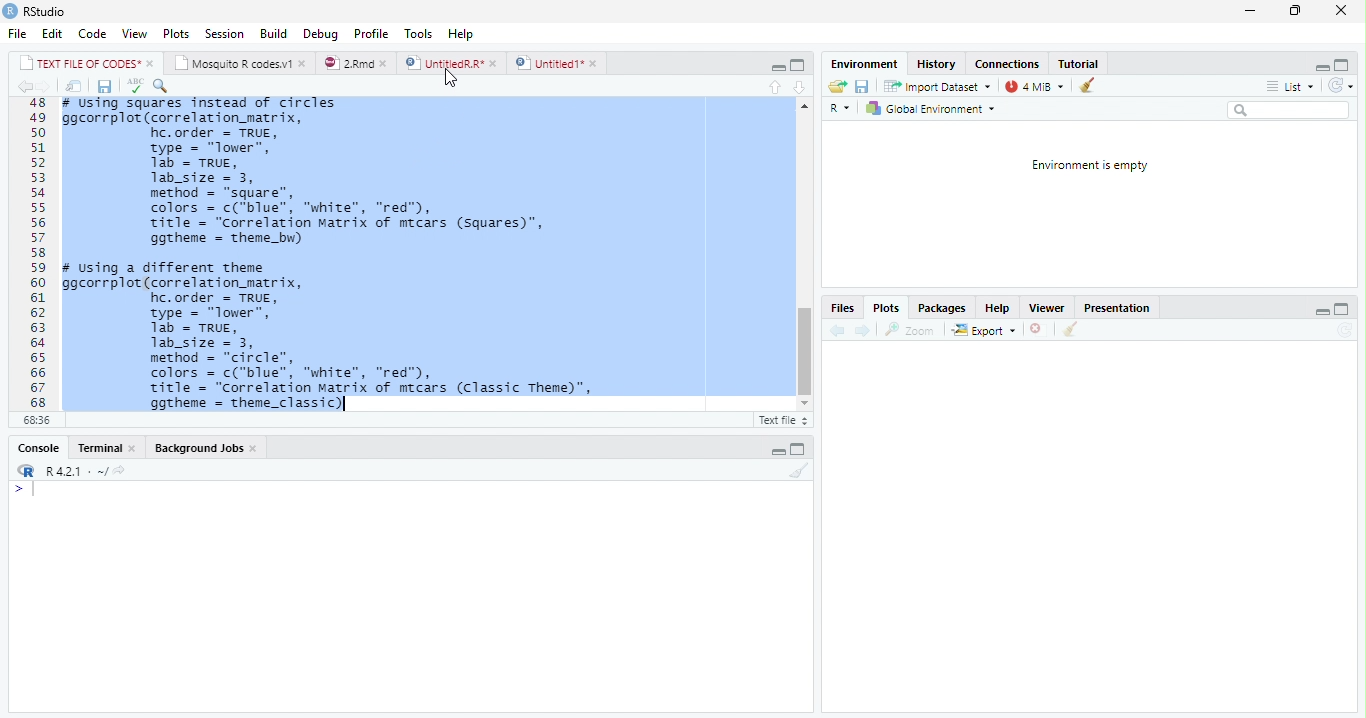  Describe the element at coordinates (451, 79) in the screenshot. I see `cursor` at that location.